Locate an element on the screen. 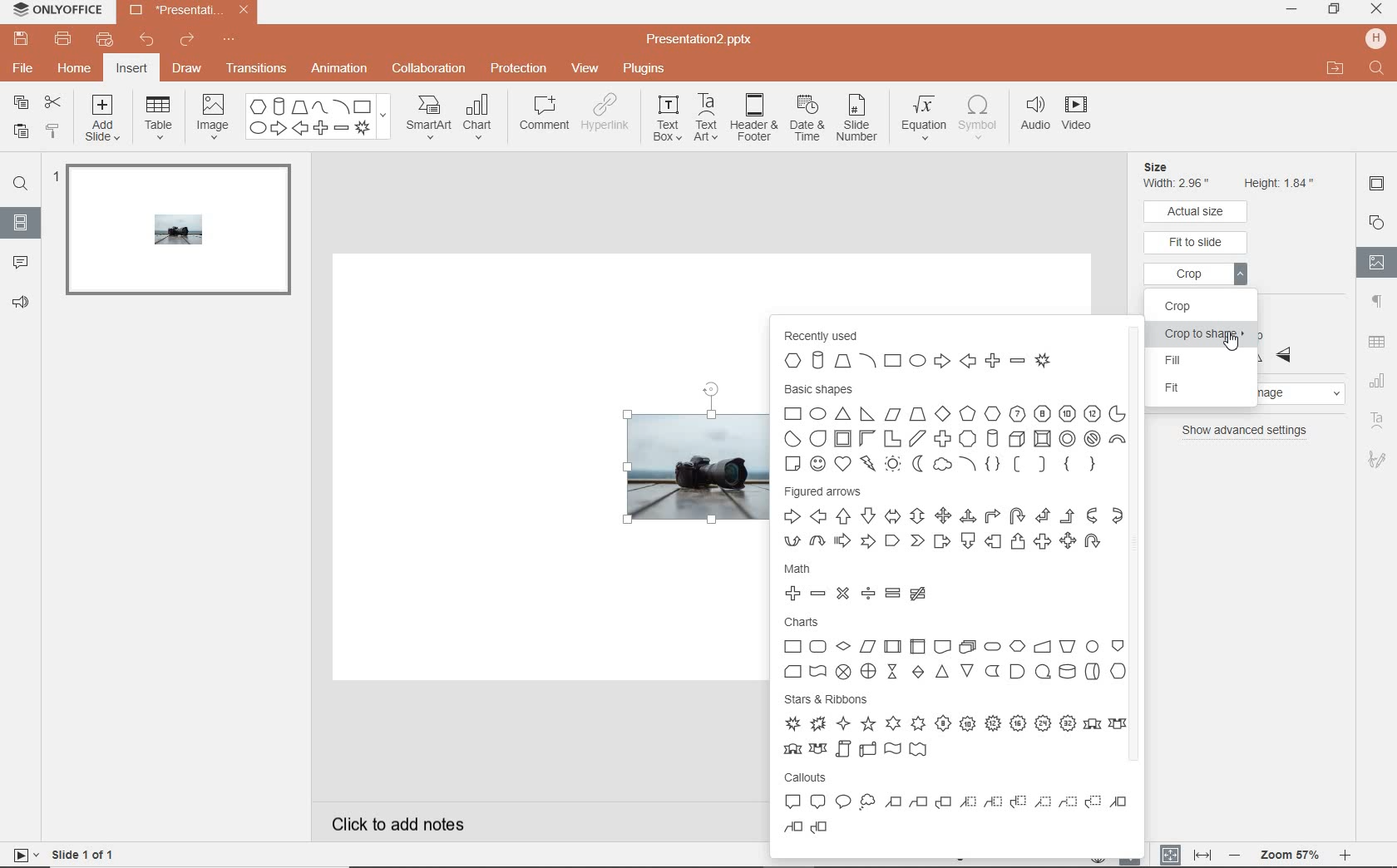 The height and width of the screenshot is (868, 1397). fit to slide is located at coordinates (1197, 243).